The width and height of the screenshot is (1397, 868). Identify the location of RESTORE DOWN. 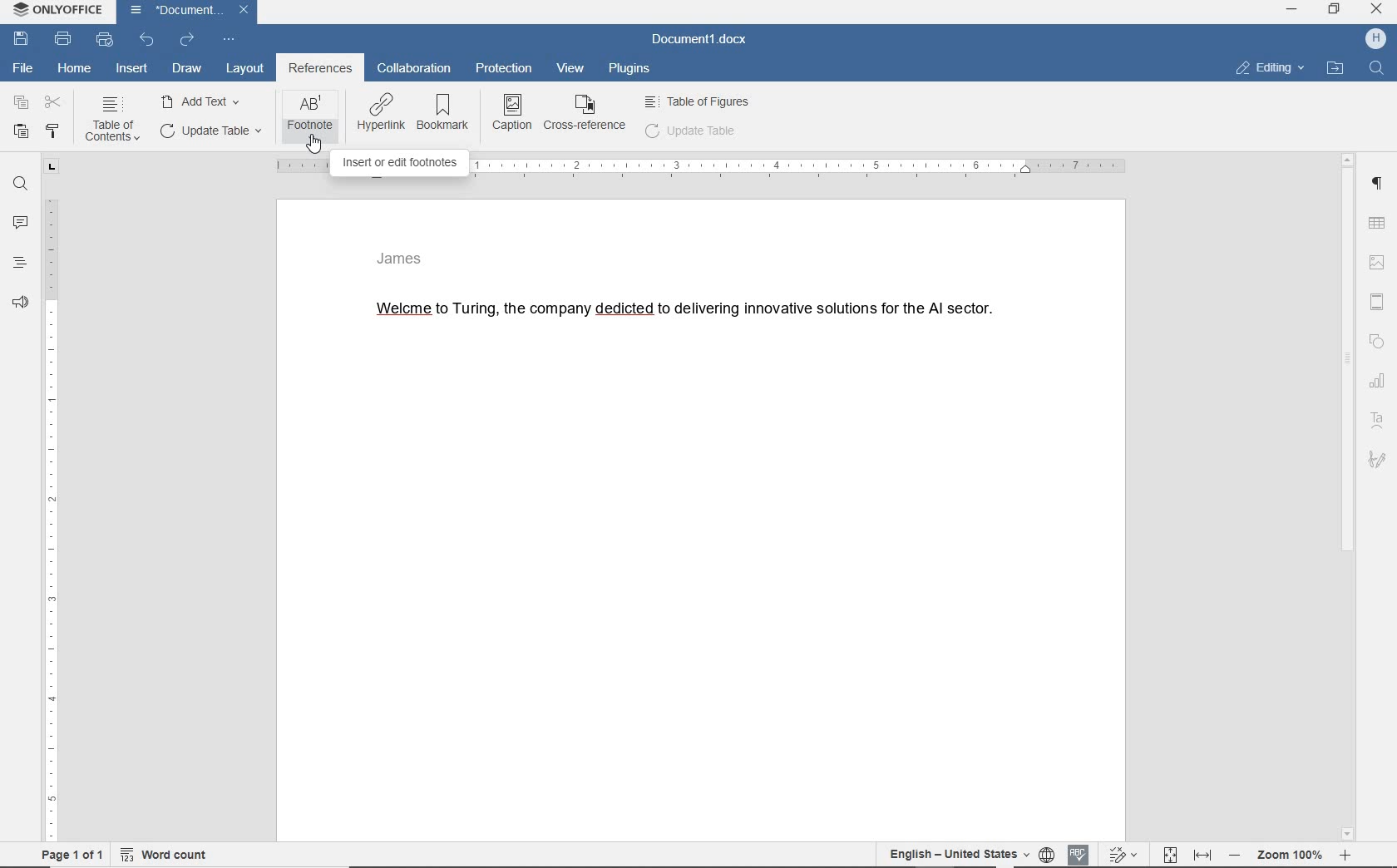
(1336, 11).